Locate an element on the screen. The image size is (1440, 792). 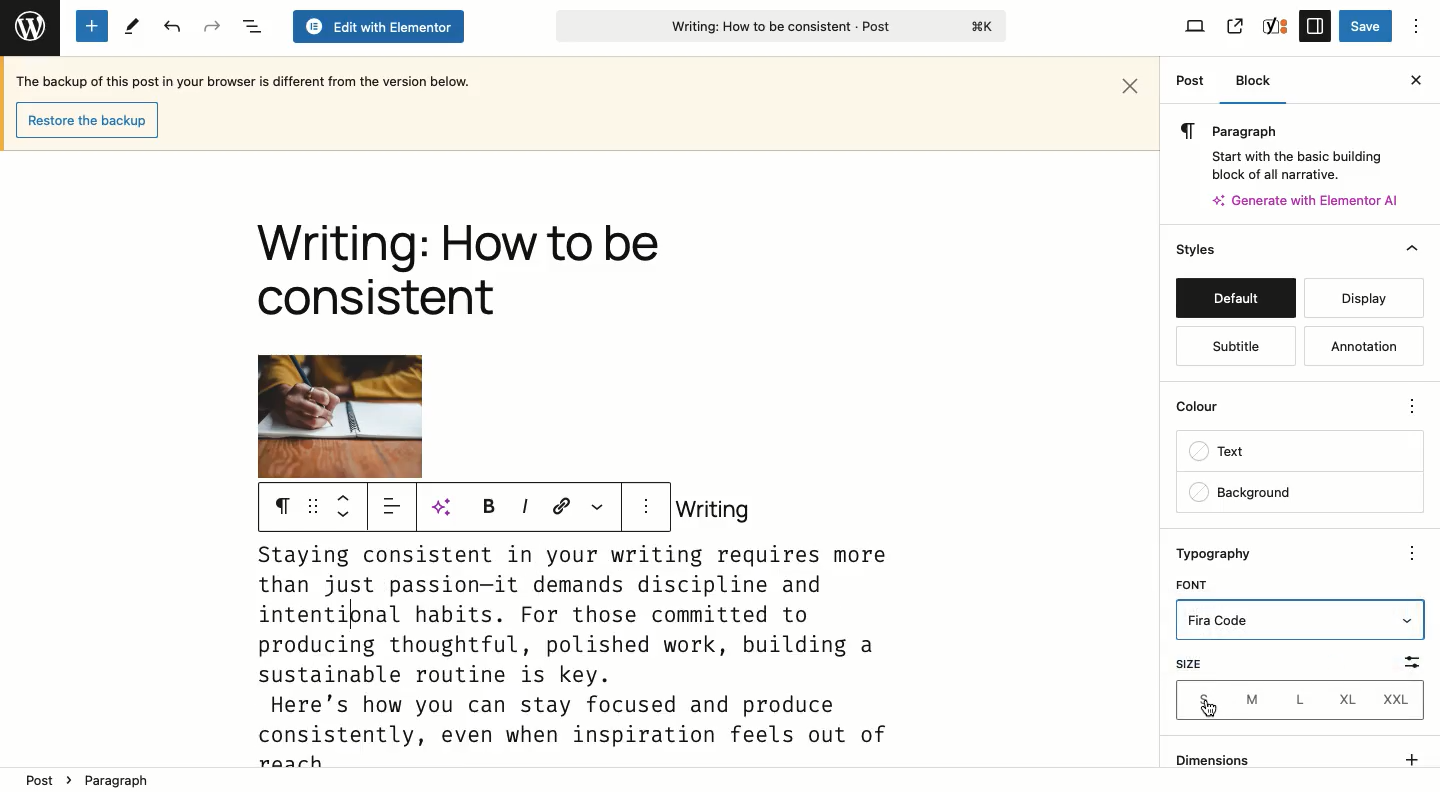
S M L XL XXL is located at coordinates (1303, 702).